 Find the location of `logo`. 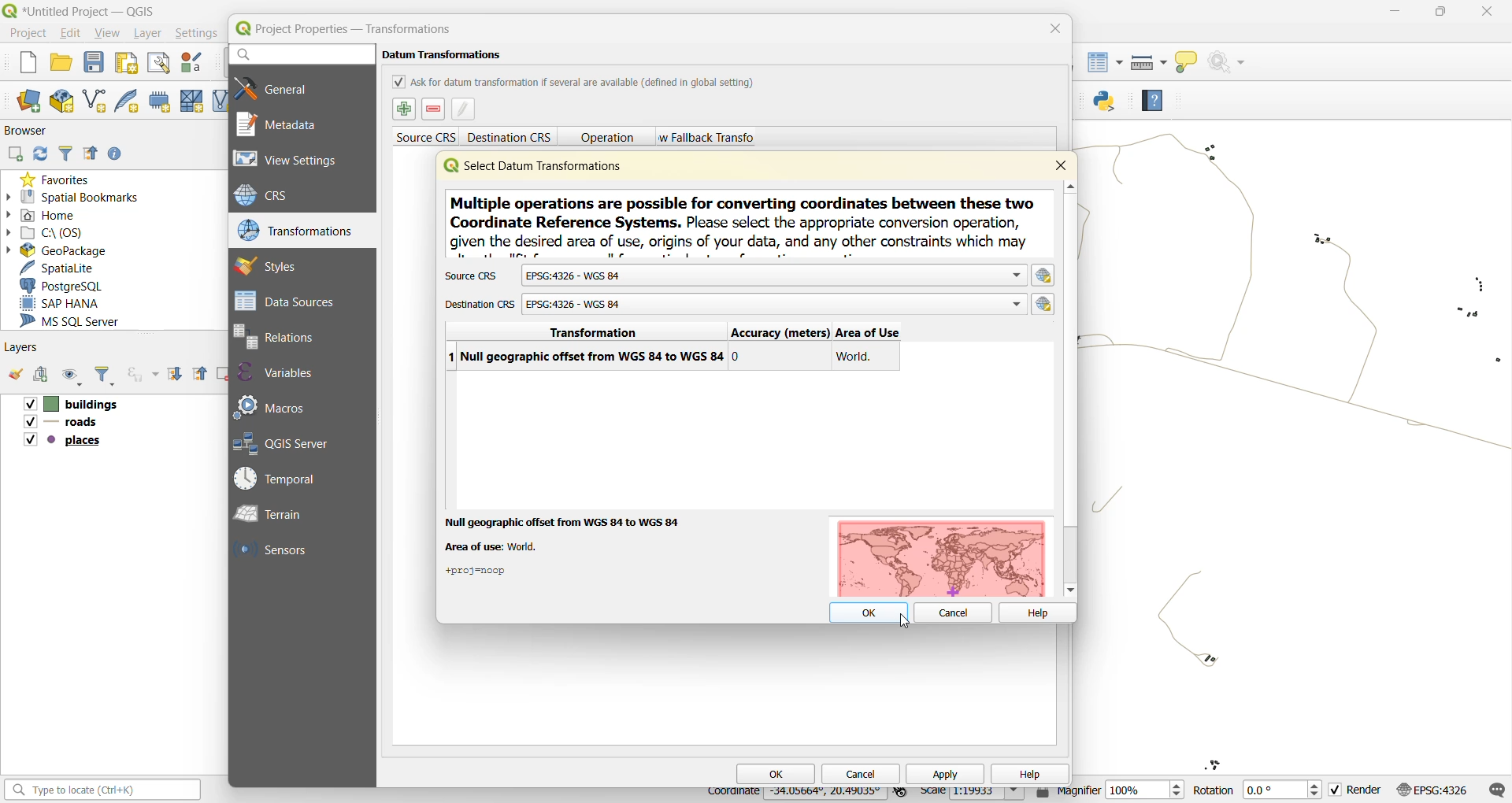

logo is located at coordinates (243, 28).